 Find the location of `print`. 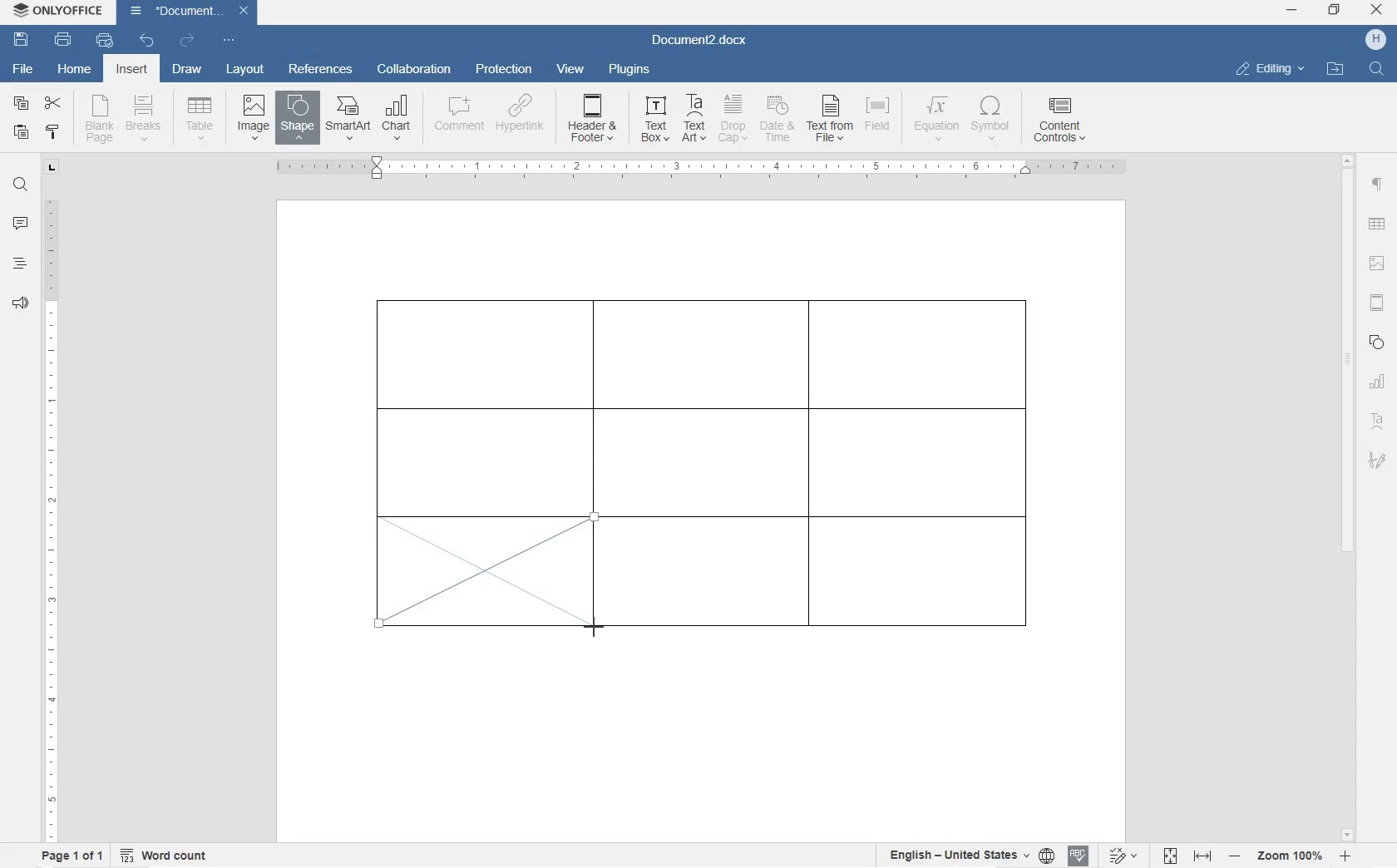

print is located at coordinates (64, 39).